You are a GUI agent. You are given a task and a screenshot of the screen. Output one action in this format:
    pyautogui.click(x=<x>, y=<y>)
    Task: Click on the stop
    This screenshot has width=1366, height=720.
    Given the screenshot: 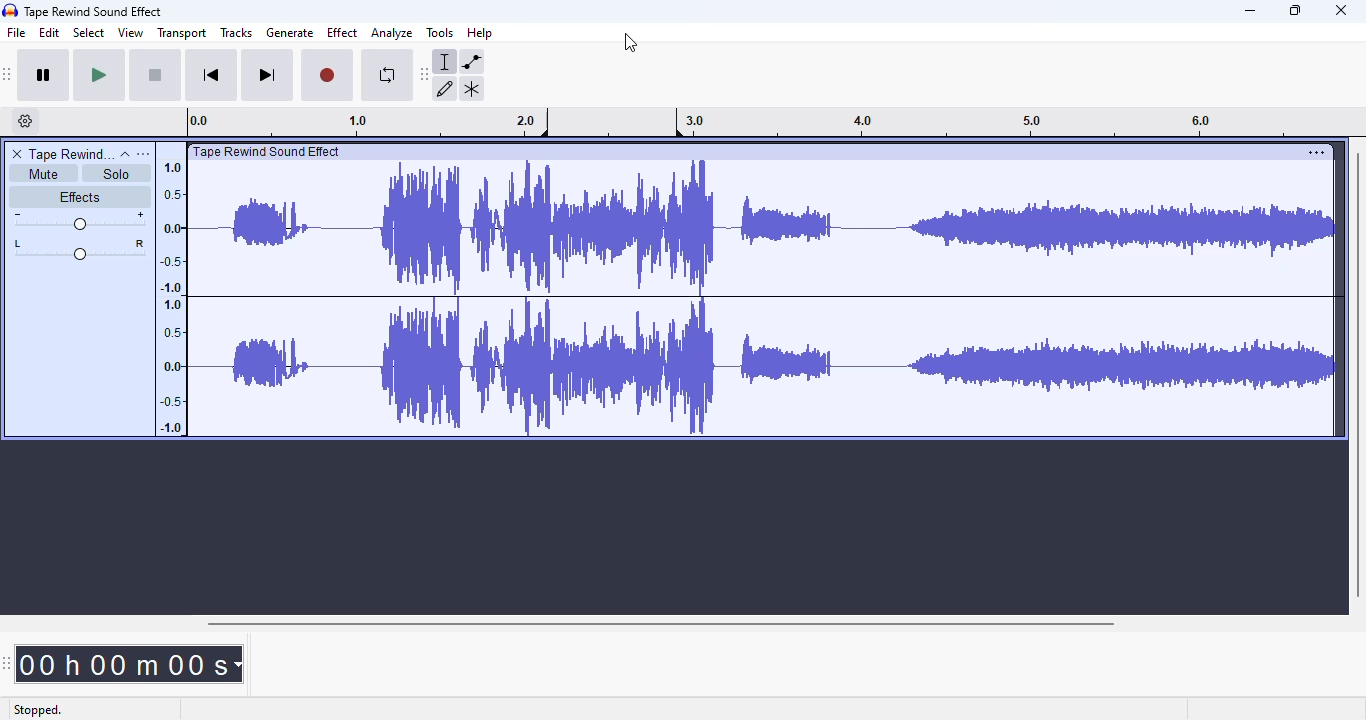 What is the action you would take?
    pyautogui.click(x=155, y=74)
    